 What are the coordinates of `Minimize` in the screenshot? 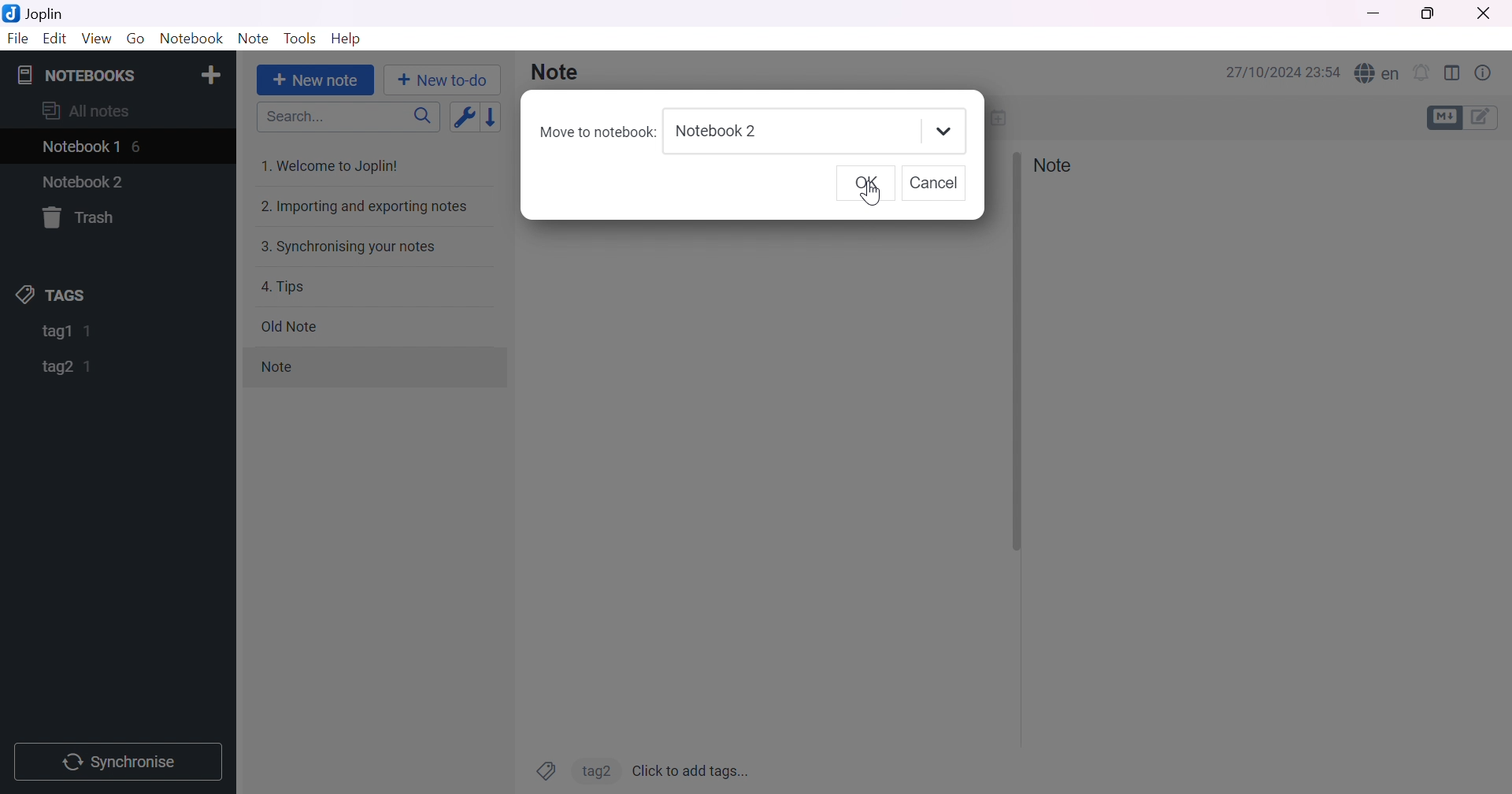 It's located at (1373, 13).